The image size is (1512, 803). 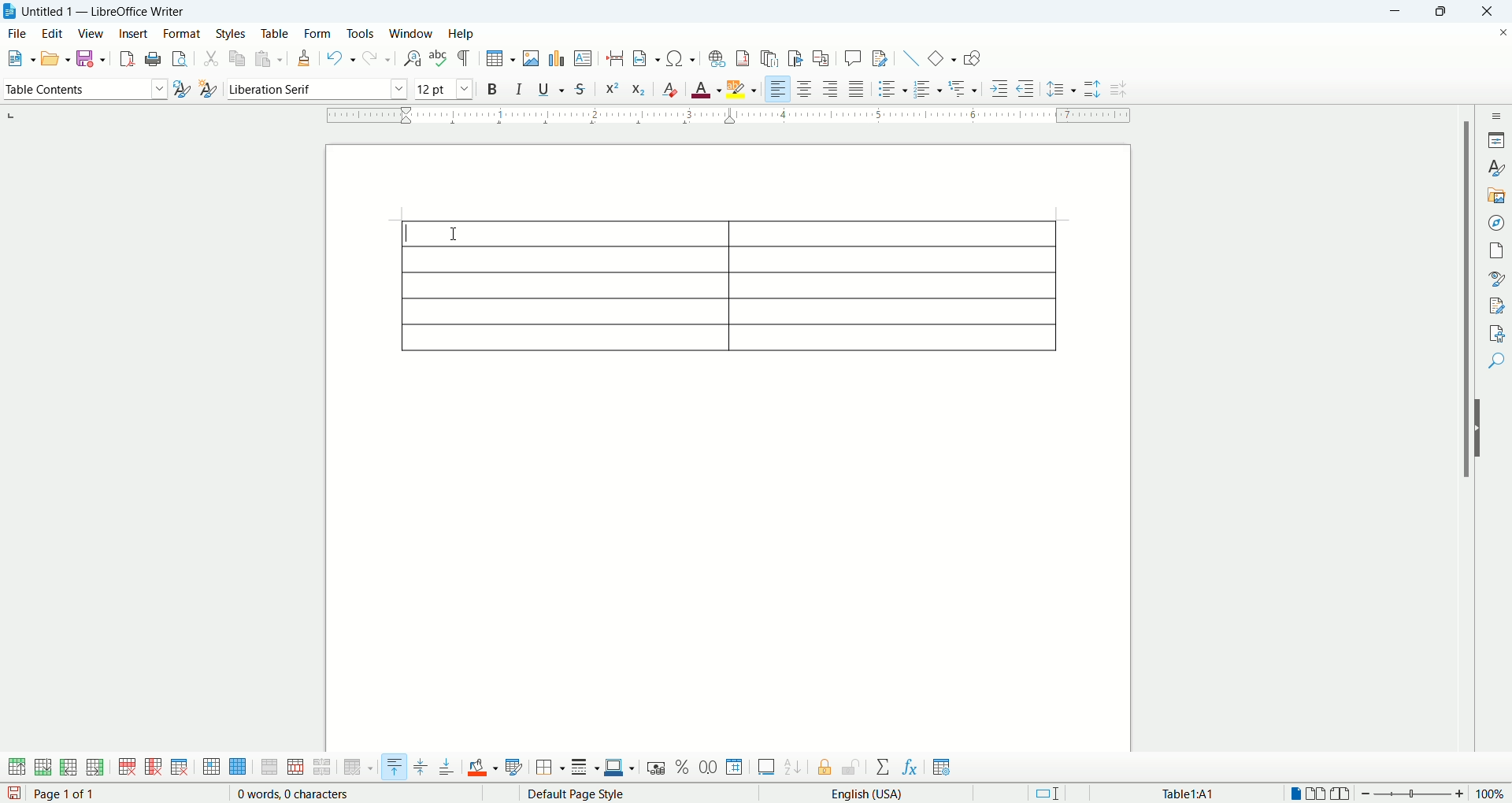 What do you see at coordinates (973, 57) in the screenshot?
I see `show draw functions` at bounding box center [973, 57].